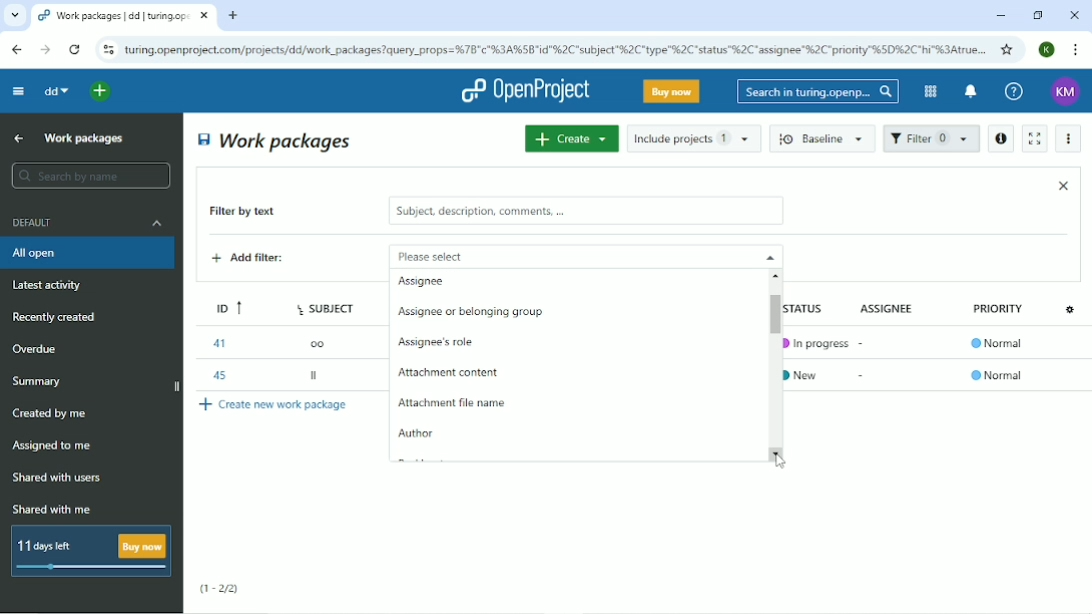 Image resolution: width=1092 pixels, height=614 pixels. Describe the element at coordinates (816, 343) in the screenshot. I see `In progress` at that location.